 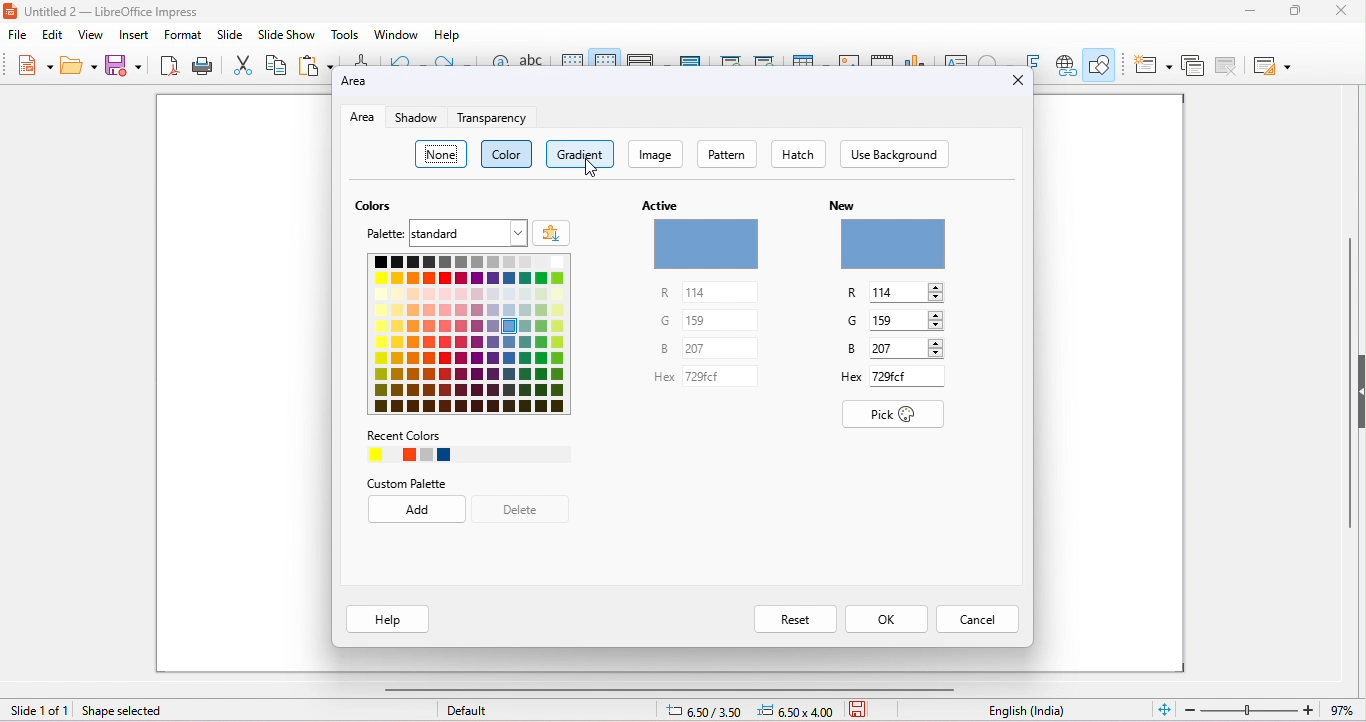 I want to click on none, so click(x=440, y=154).